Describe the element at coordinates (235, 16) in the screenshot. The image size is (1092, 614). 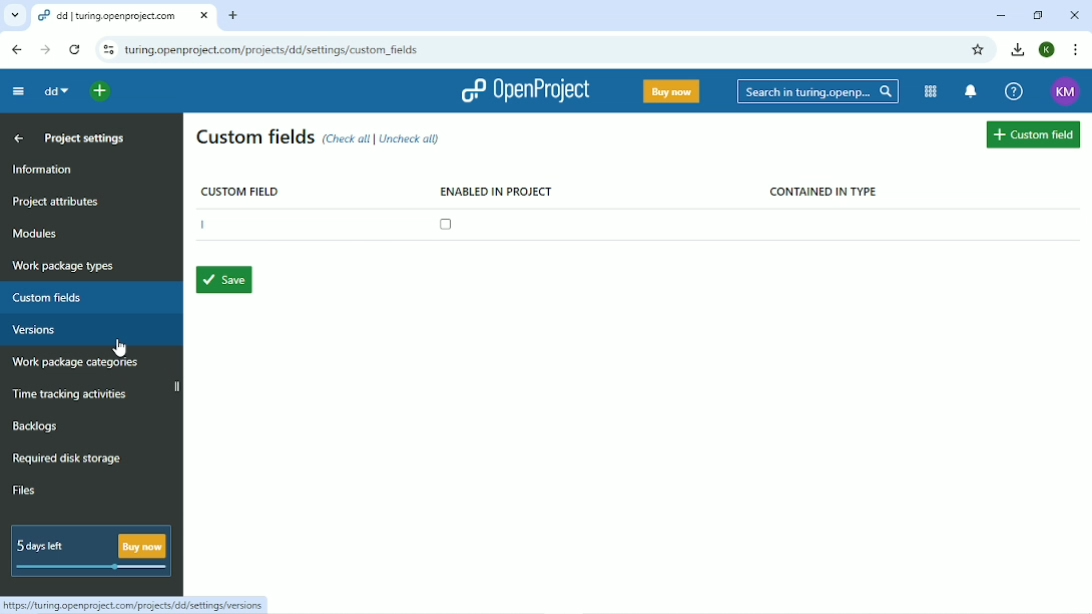
I see `New tab` at that location.